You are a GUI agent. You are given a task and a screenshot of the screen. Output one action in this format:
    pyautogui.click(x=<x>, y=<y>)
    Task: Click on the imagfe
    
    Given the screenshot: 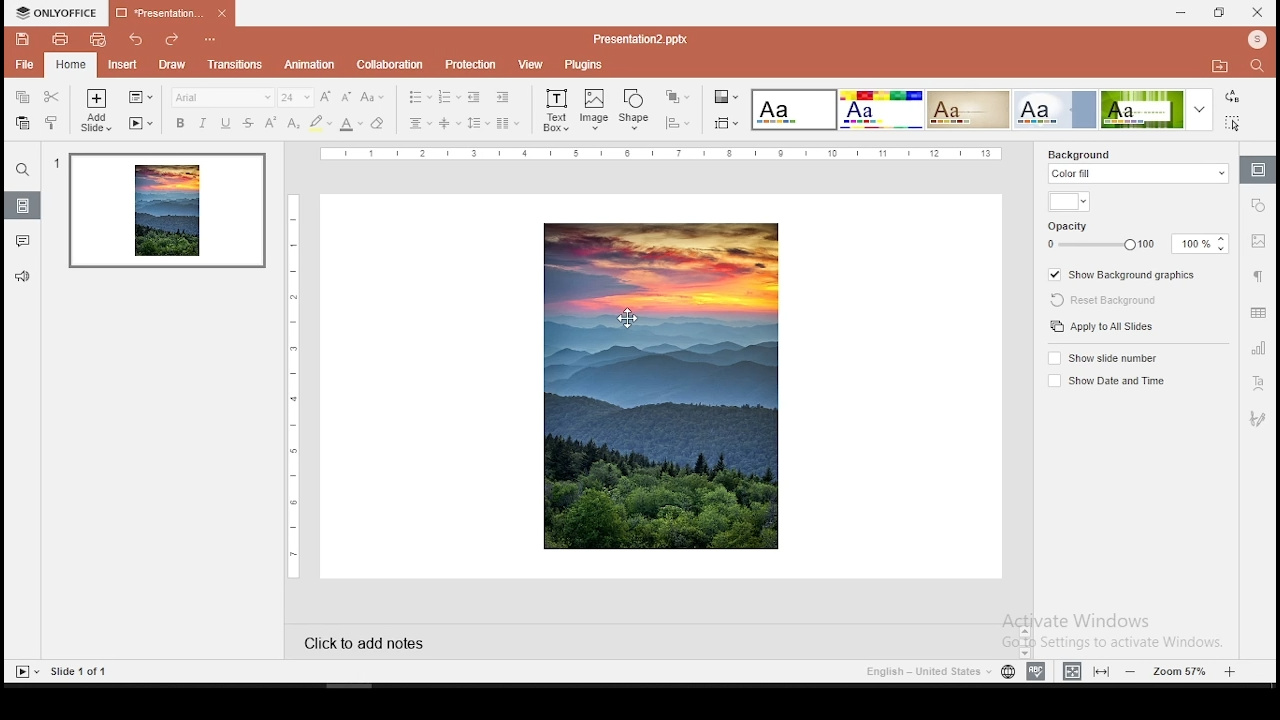 What is the action you would take?
    pyautogui.click(x=660, y=387)
    